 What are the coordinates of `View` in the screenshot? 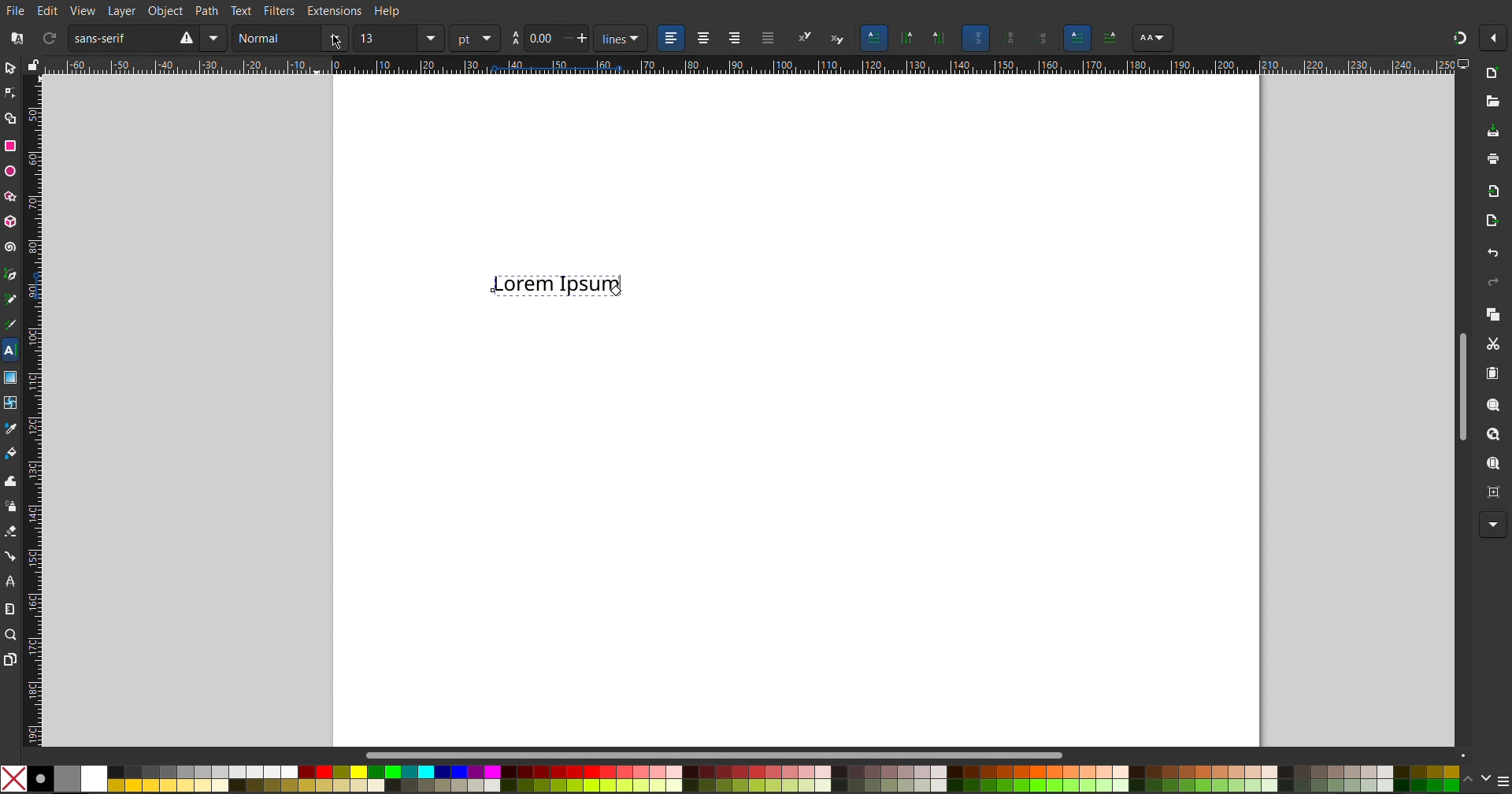 It's located at (83, 9).